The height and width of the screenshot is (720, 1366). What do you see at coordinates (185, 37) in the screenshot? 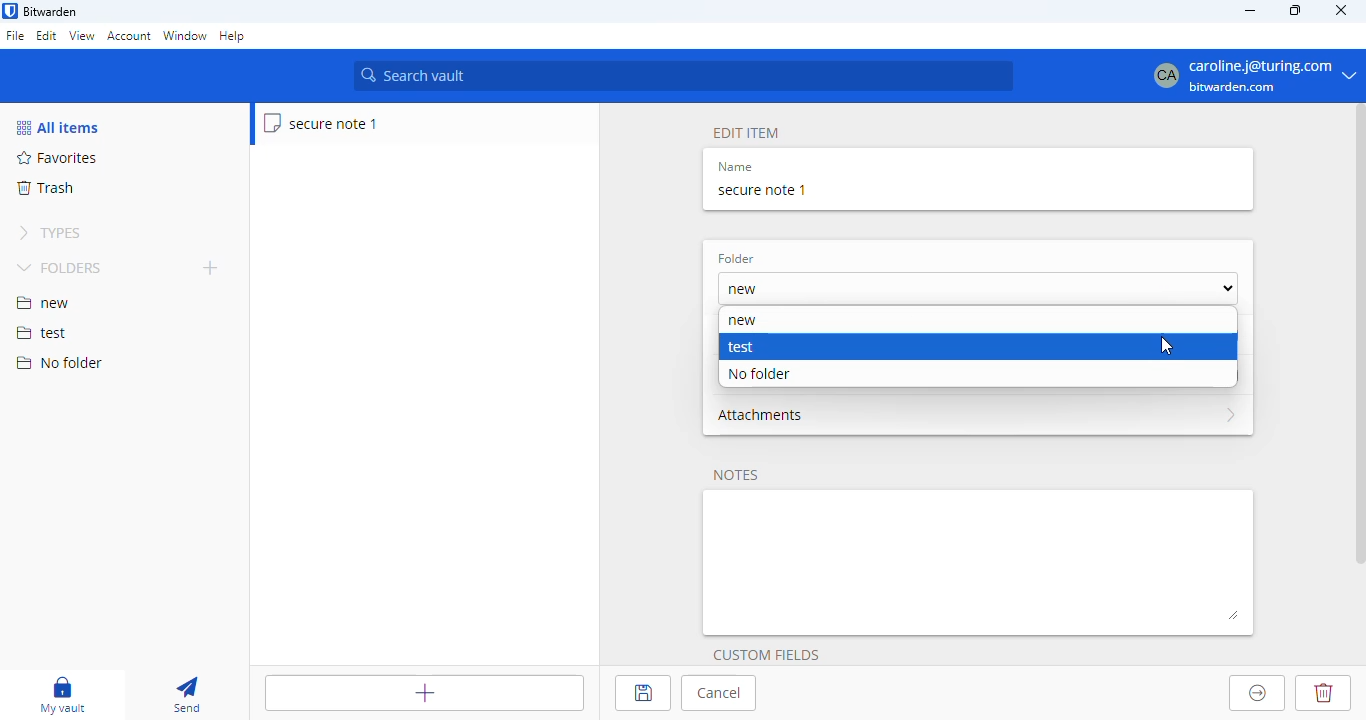
I see `window` at bounding box center [185, 37].